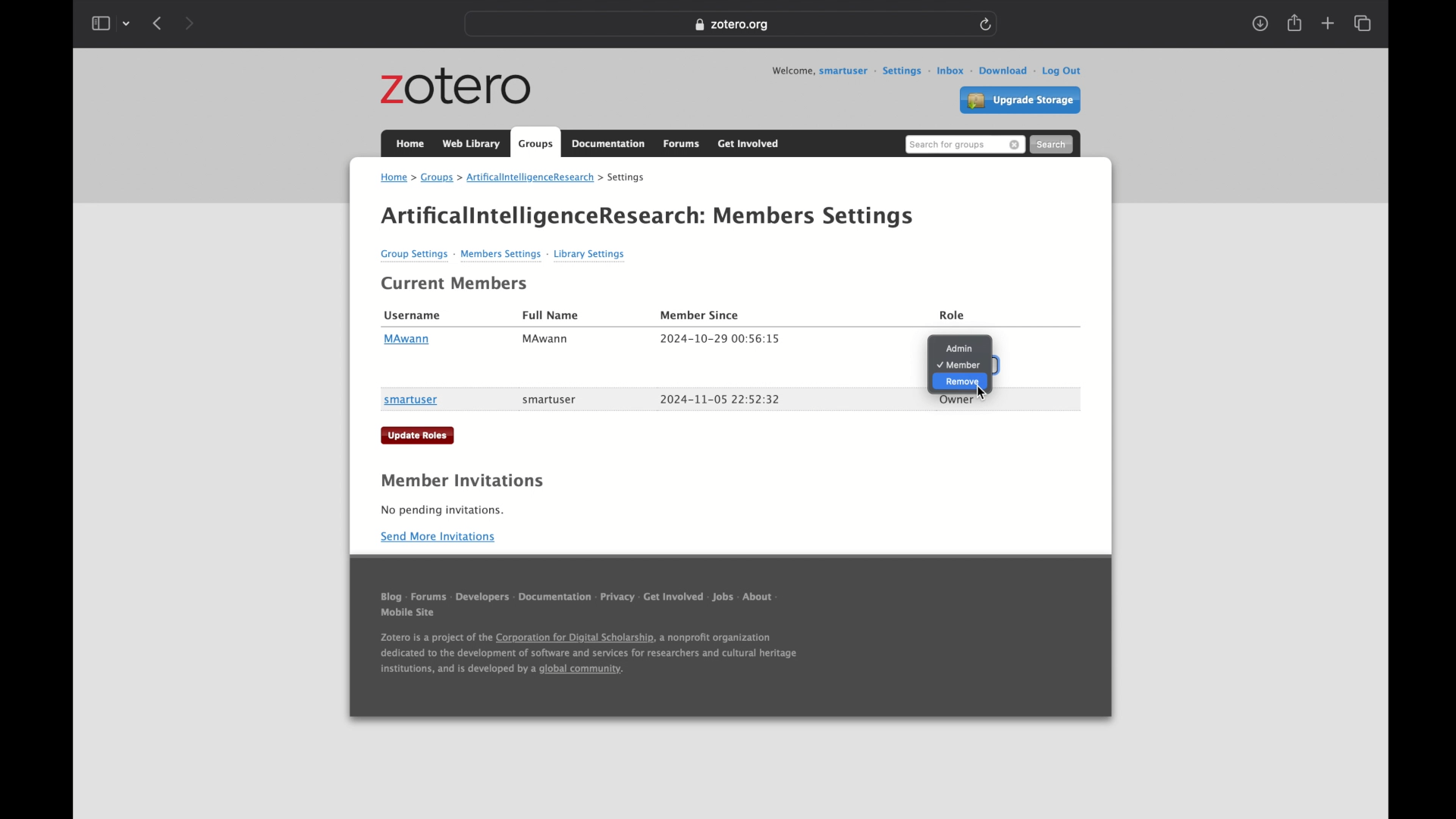  Describe the element at coordinates (457, 87) in the screenshot. I see `zotero` at that location.